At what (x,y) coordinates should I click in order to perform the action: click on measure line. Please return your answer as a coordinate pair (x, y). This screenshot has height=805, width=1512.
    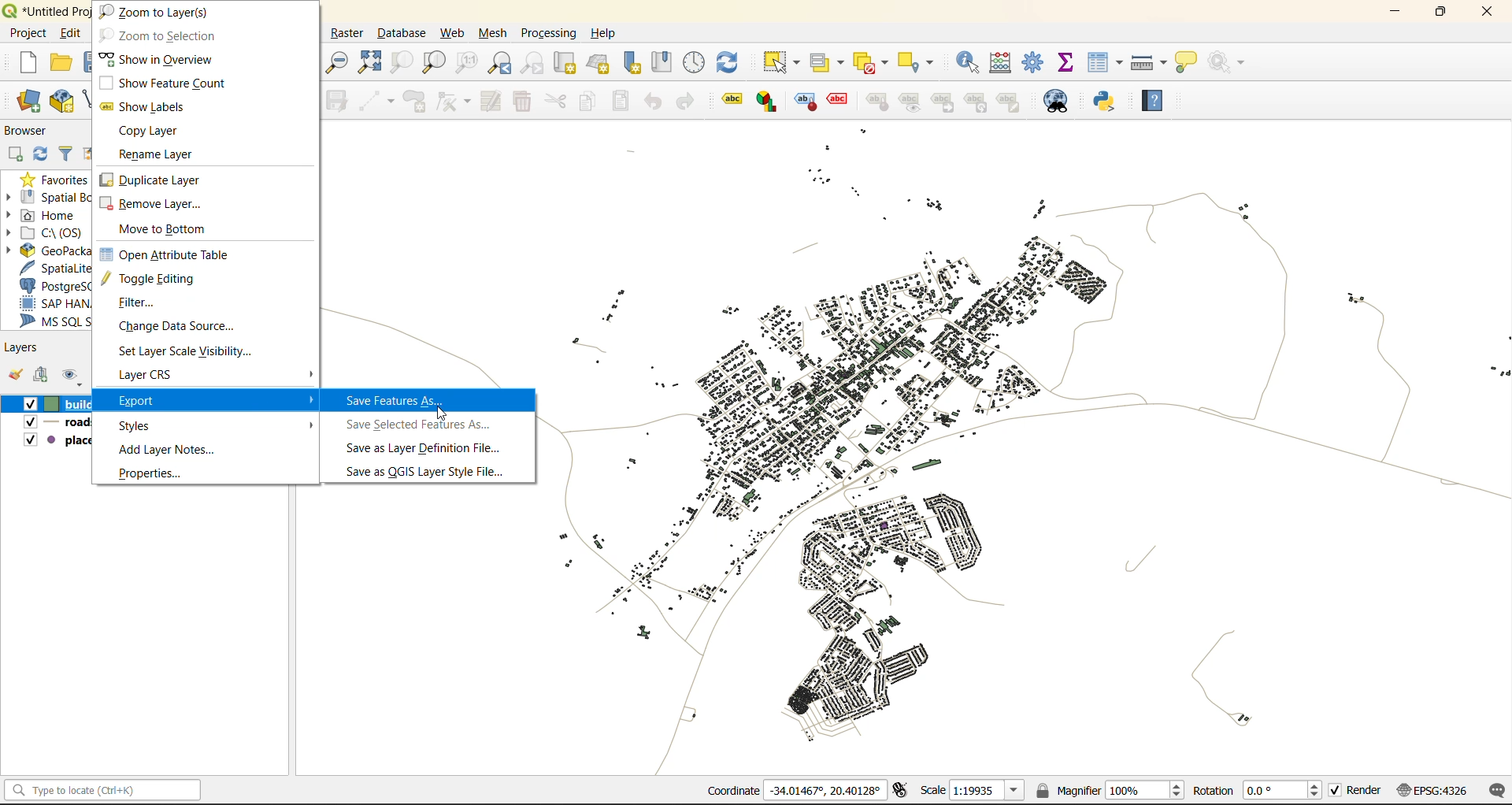
    Looking at the image, I should click on (1148, 65).